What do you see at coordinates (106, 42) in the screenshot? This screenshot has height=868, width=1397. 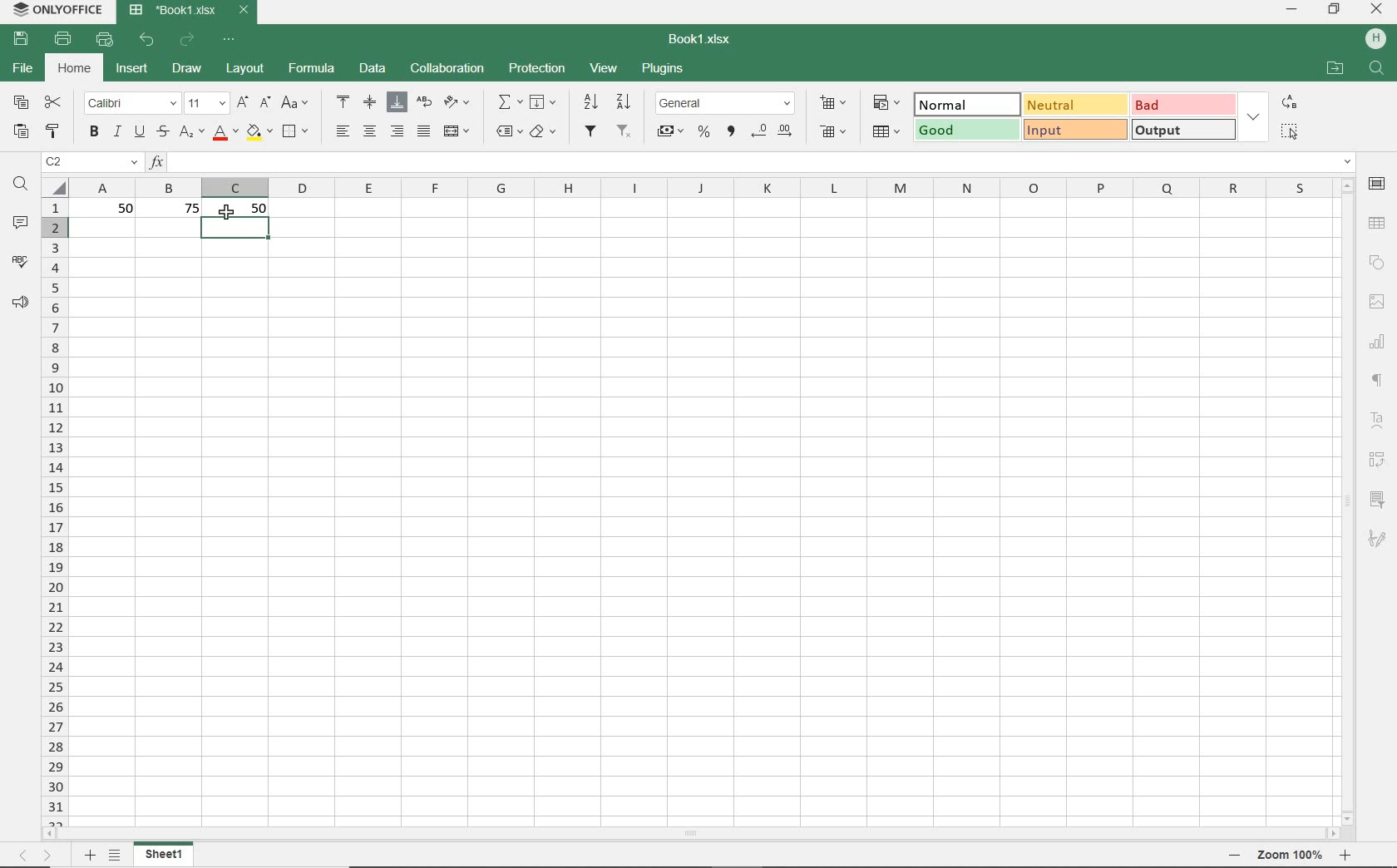 I see `quick print` at bounding box center [106, 42].